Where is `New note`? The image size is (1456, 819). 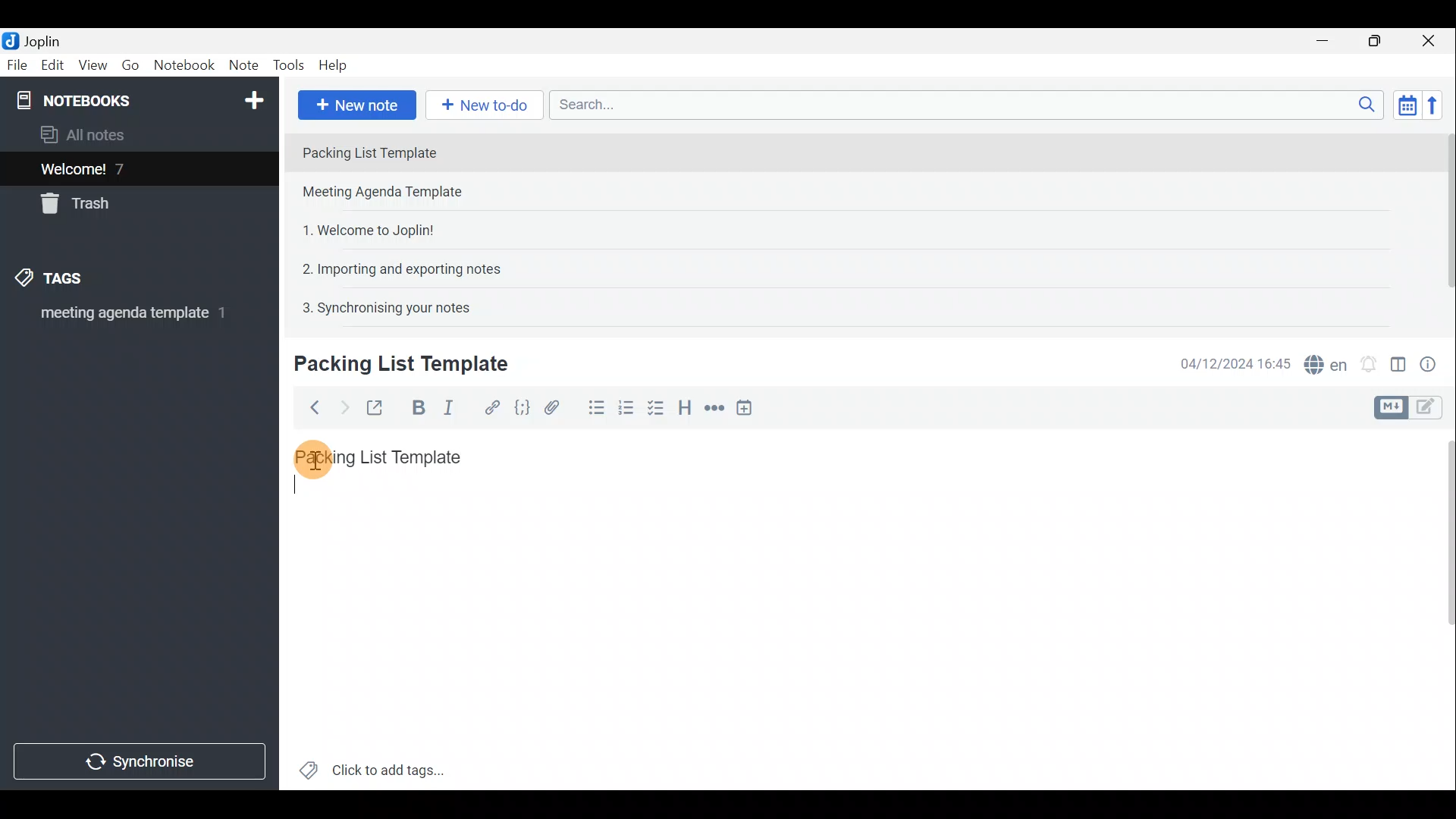
New note is located at coordinates (356, 103).